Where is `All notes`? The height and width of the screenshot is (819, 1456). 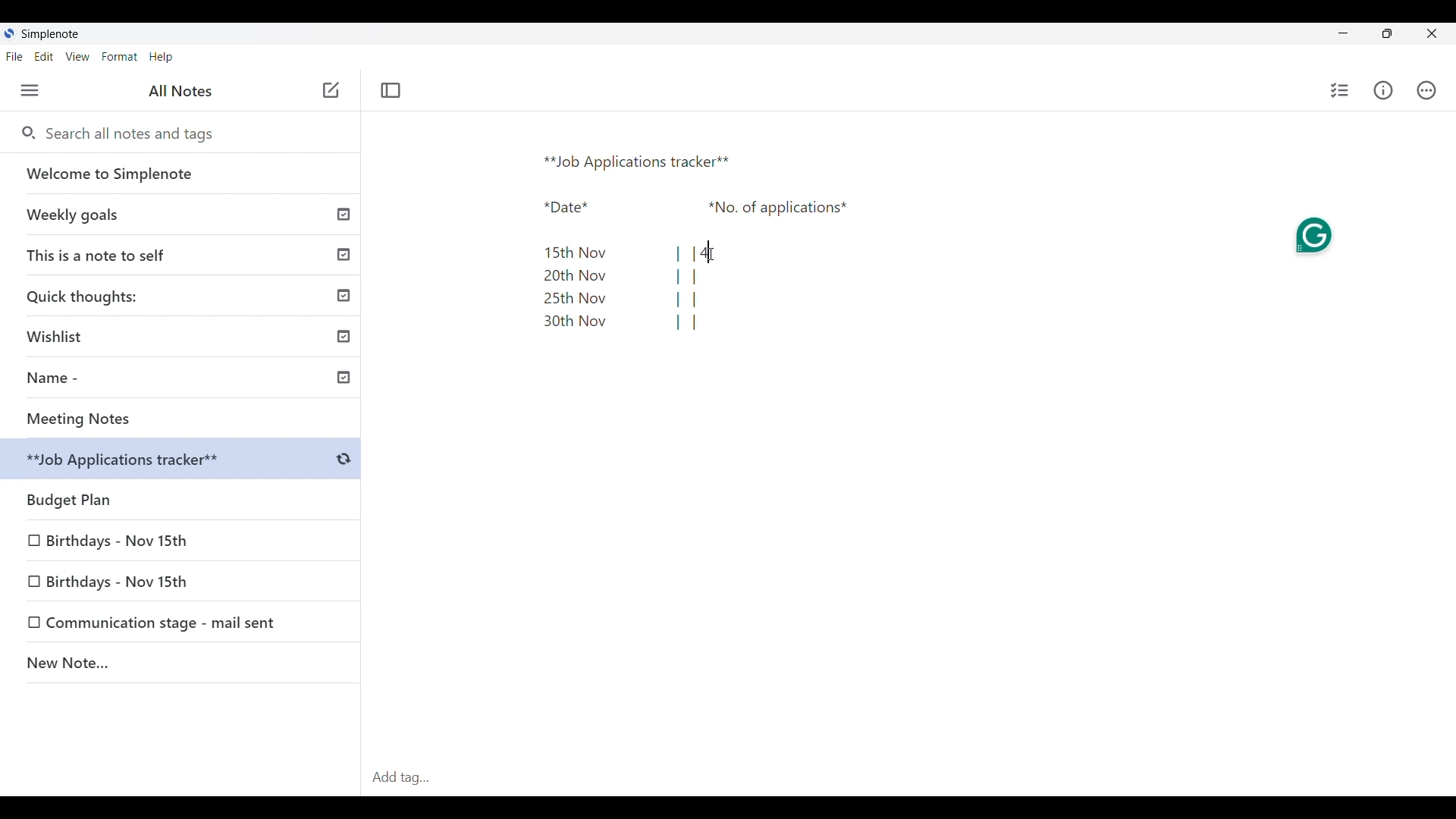 All notes is located at coordinates (180, 90).